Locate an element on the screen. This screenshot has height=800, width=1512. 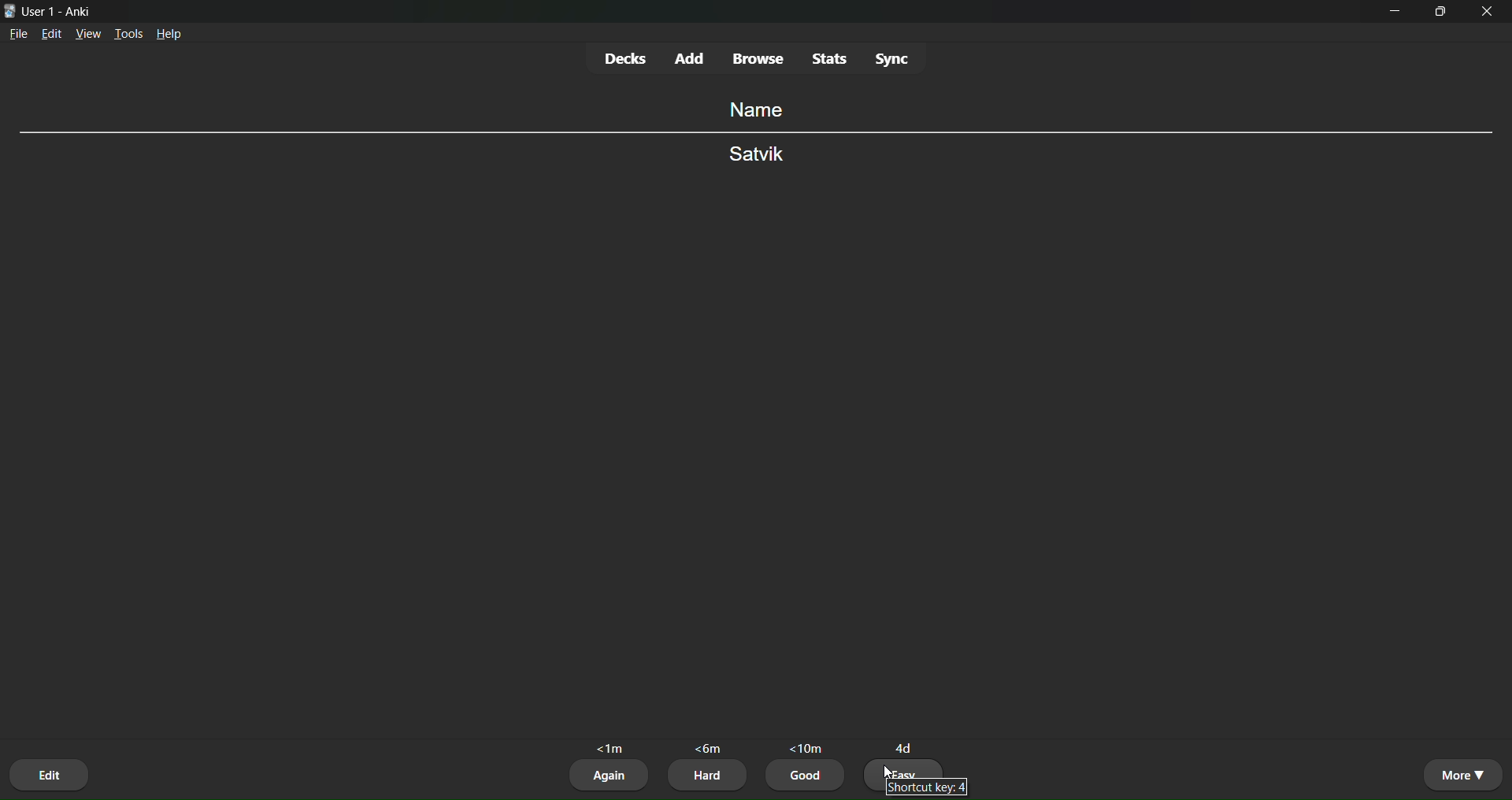
Shortcut key: 4 is located at coordinates (925, 787).